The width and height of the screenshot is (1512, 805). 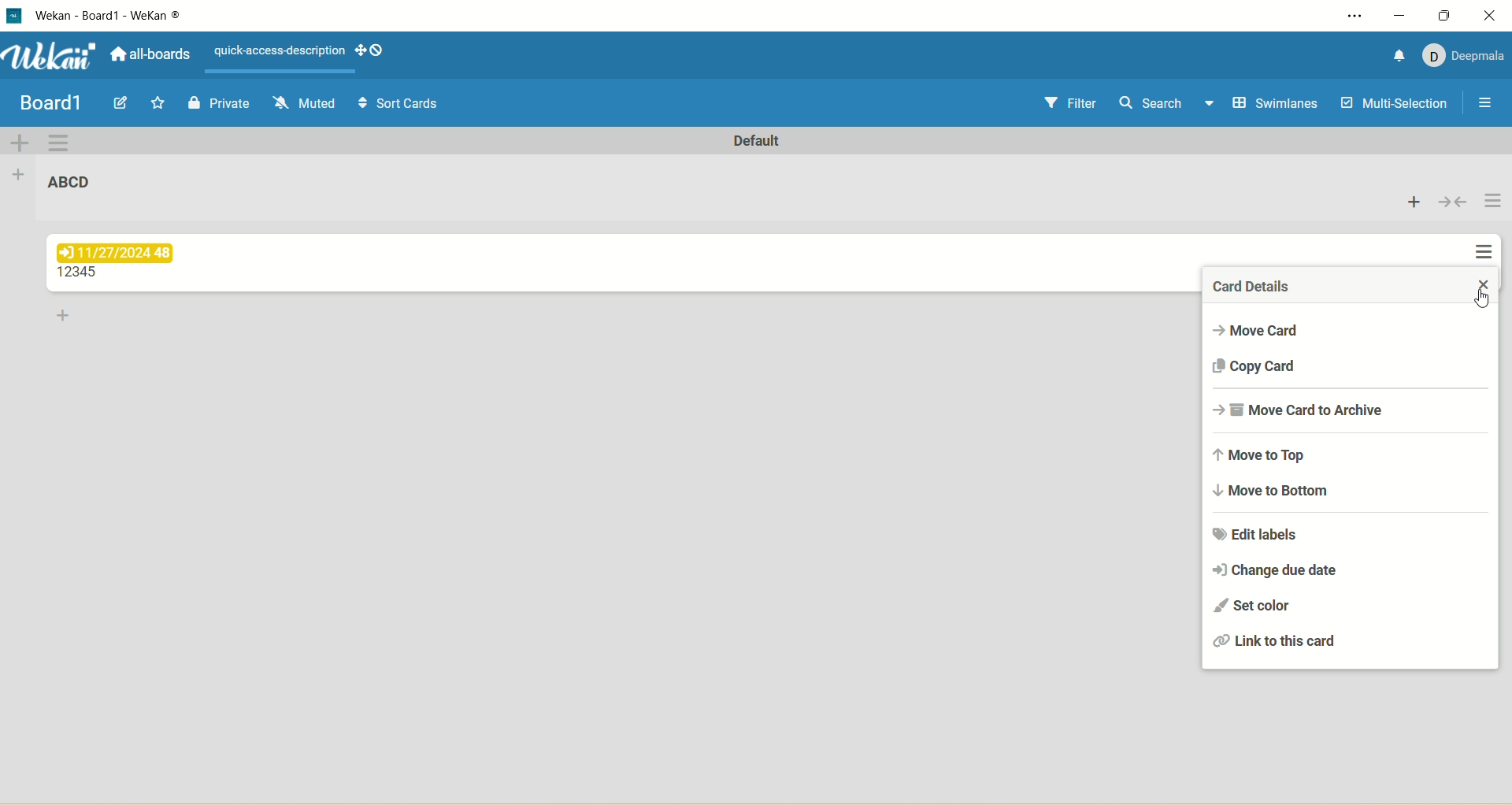 I want to click on settings and more, so click(x=1346, y=16).